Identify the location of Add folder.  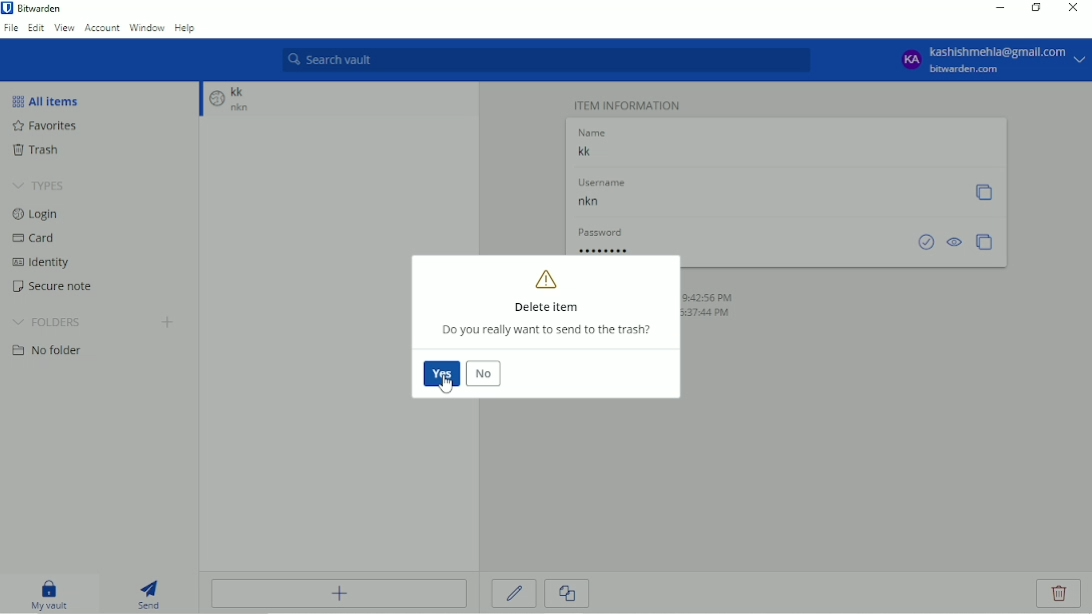
(167, 322).